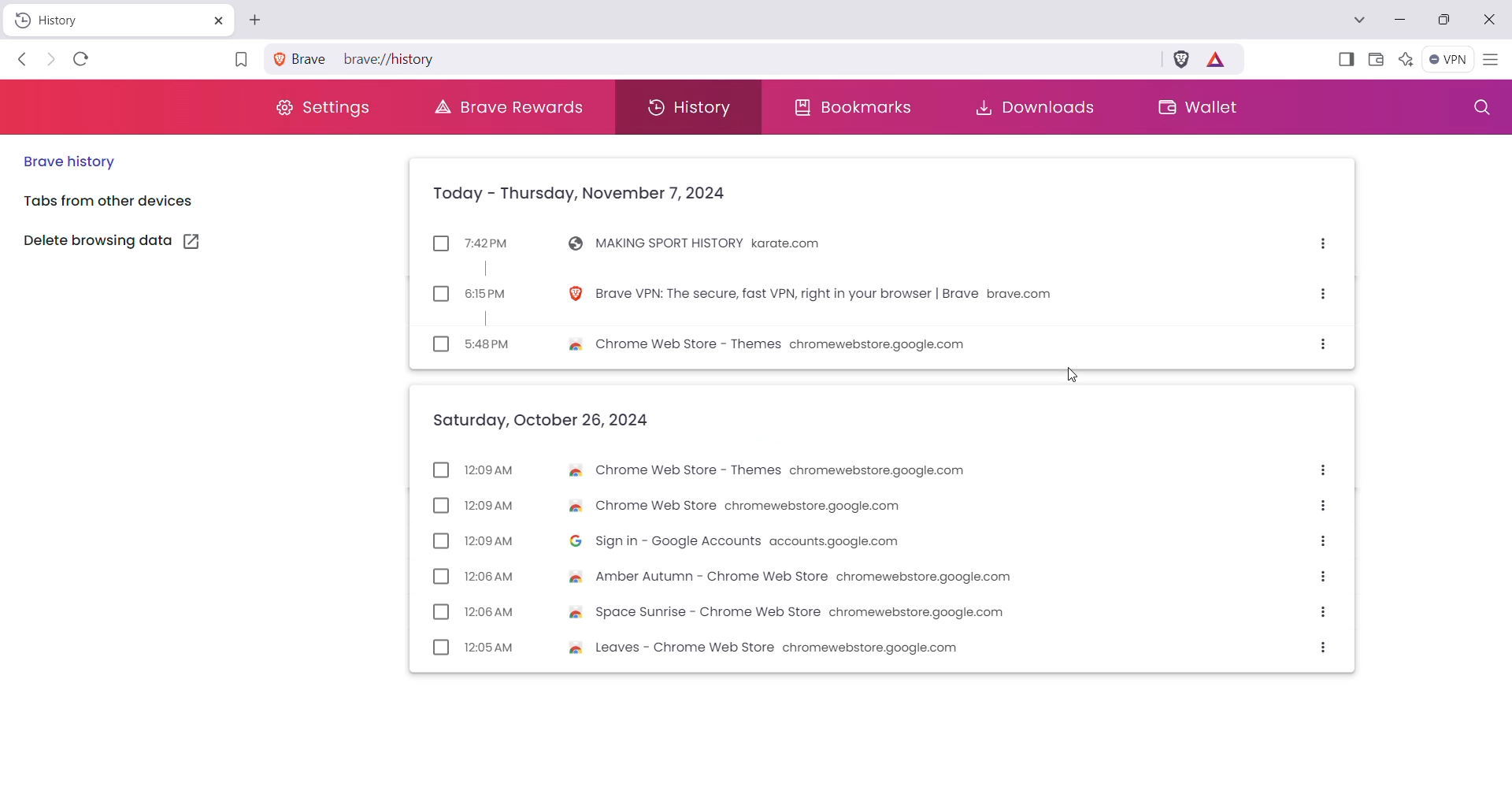 The width and height of the screenshot is (1512, 802). What do you see at coordinates (1483, 108) in the screenshot?
I see `Search History` at bounding box center [1483, 108].